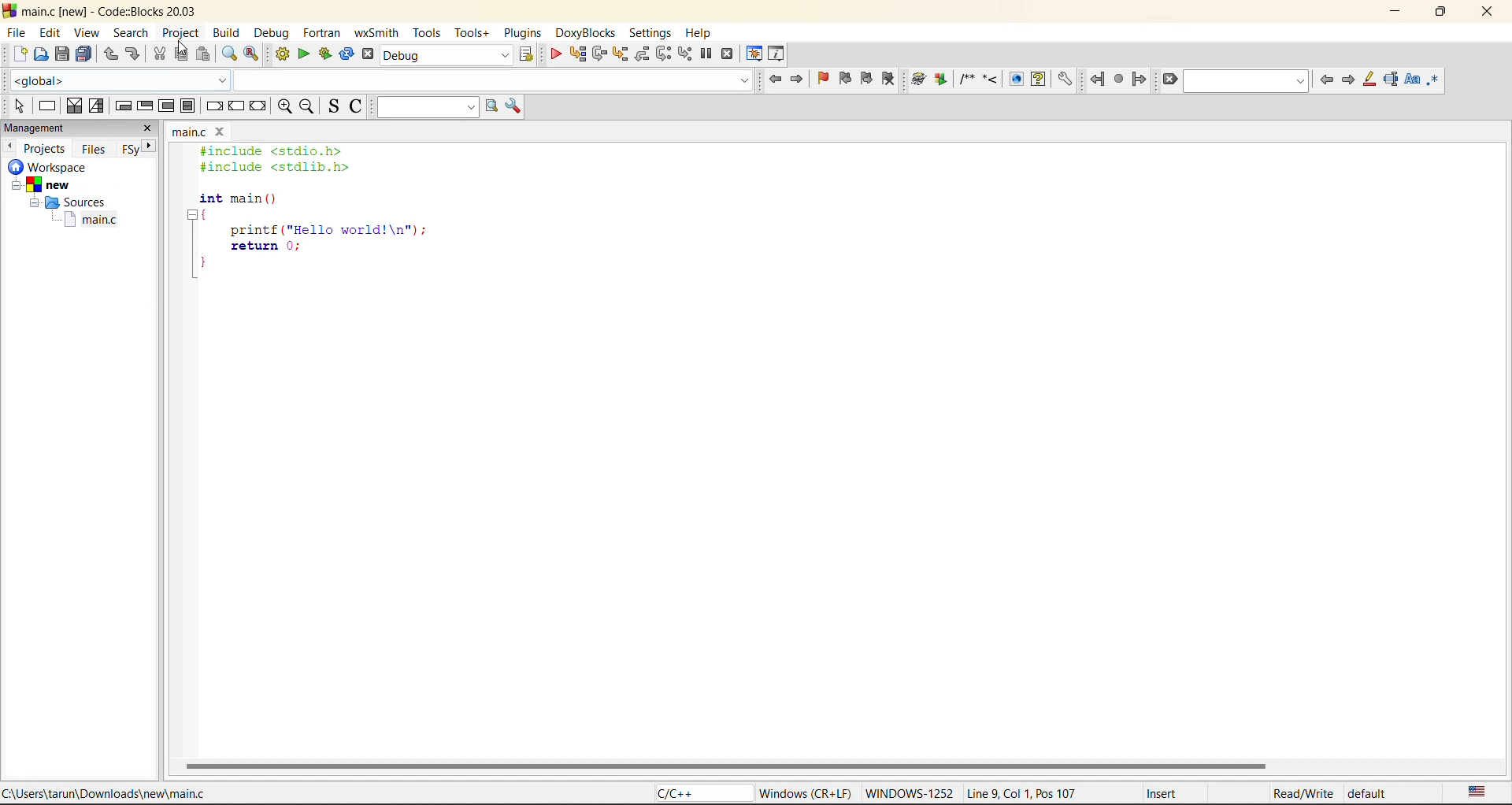 This screenshot has height=805, width=1512. I want to click on jump back, so click(774, 80).